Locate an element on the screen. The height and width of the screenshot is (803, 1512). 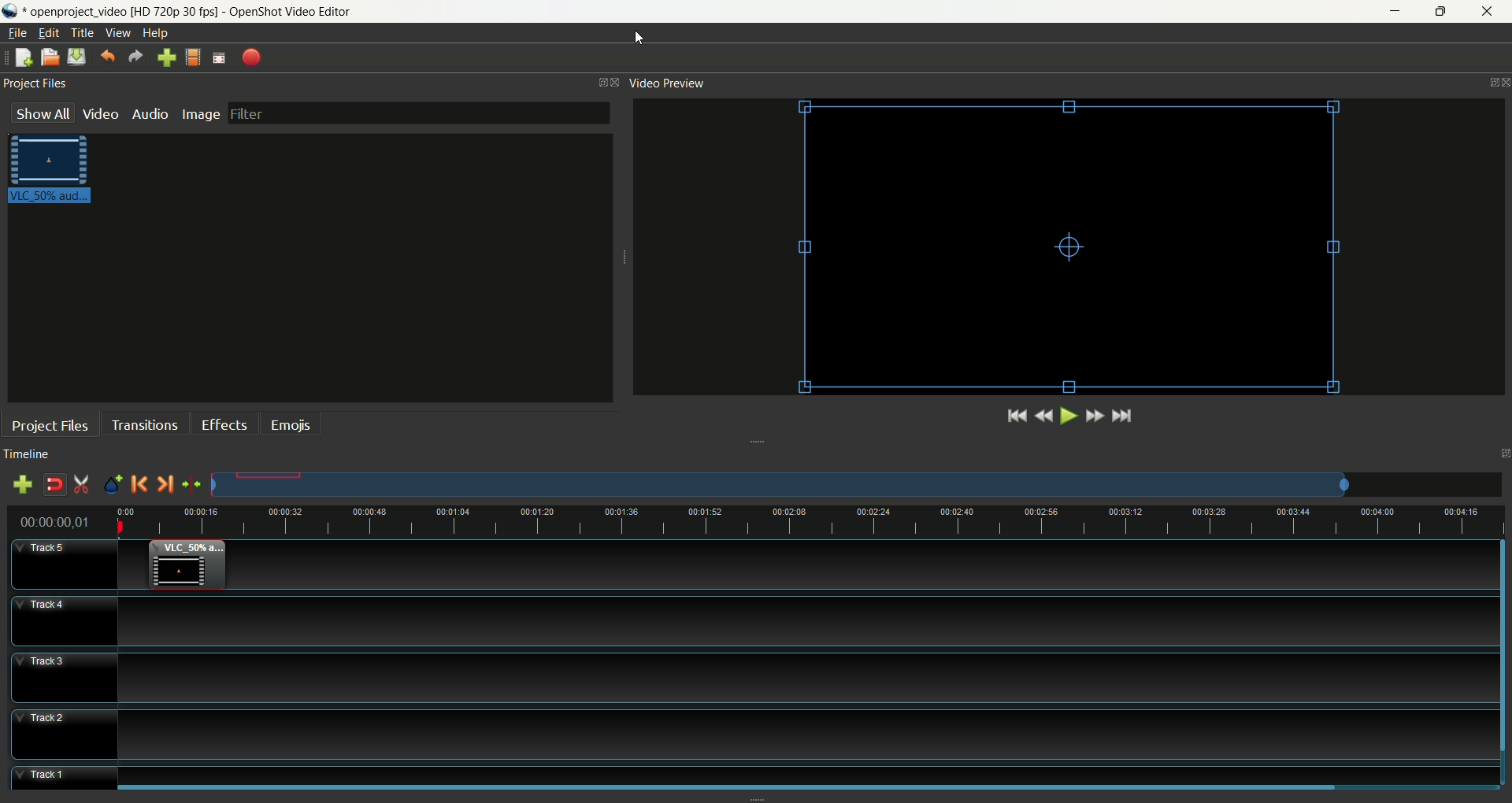
video clip is located at coordinates (49, 173).